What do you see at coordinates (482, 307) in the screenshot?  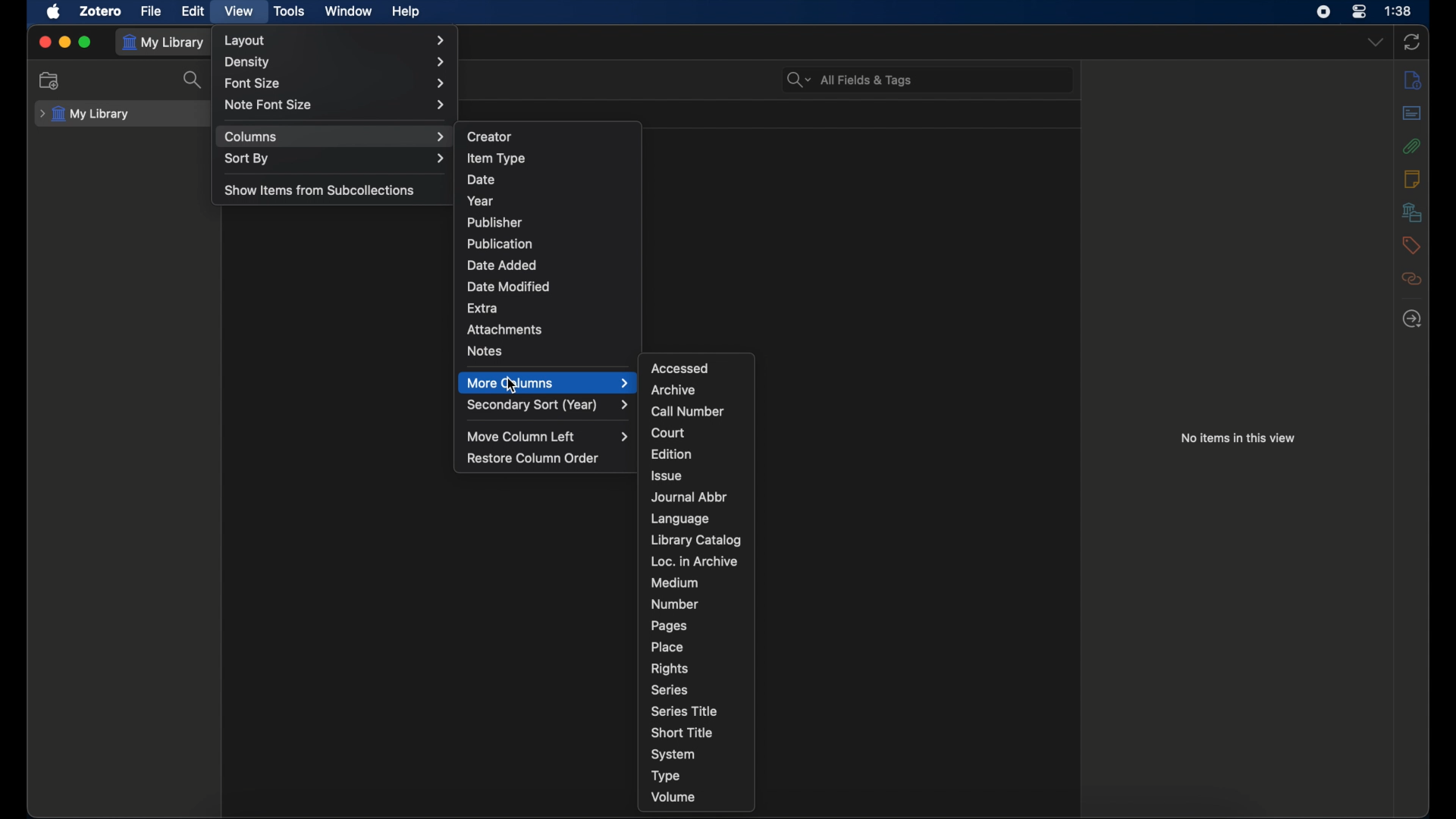 I see `extra` at bounding box center [482, 307].